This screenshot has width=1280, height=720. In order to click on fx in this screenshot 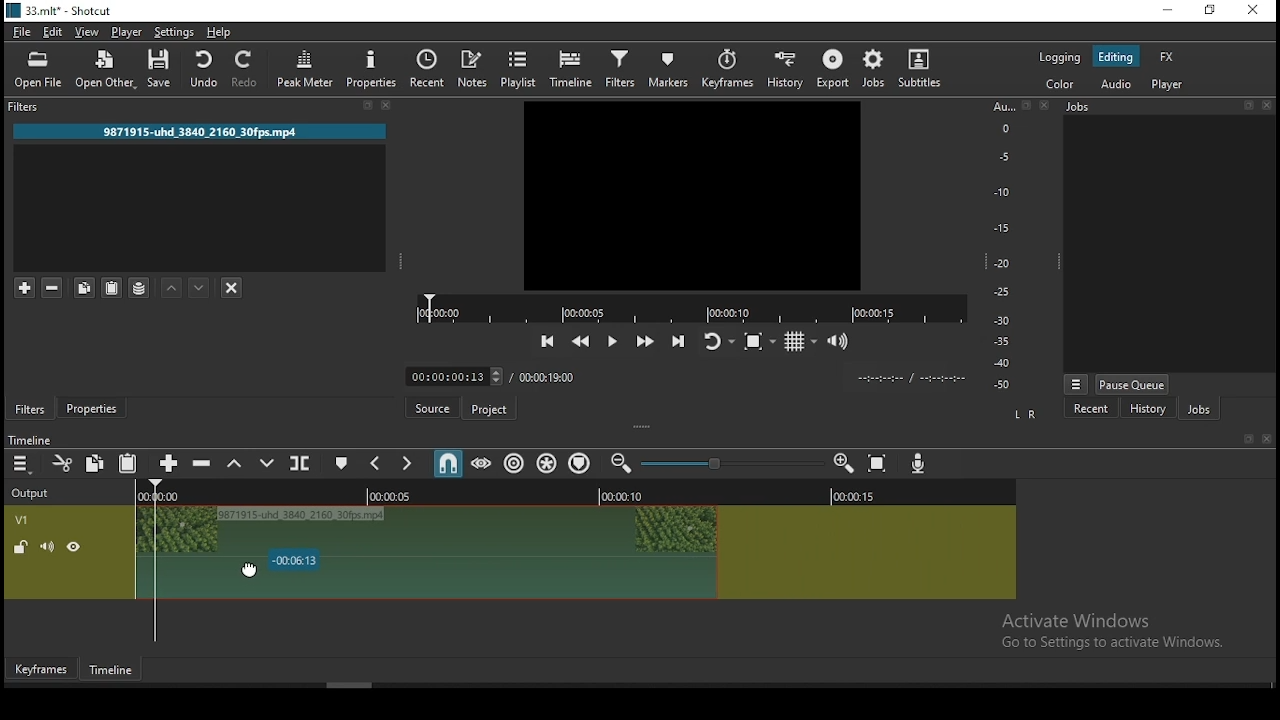, I will do `click(1167, 57)`.